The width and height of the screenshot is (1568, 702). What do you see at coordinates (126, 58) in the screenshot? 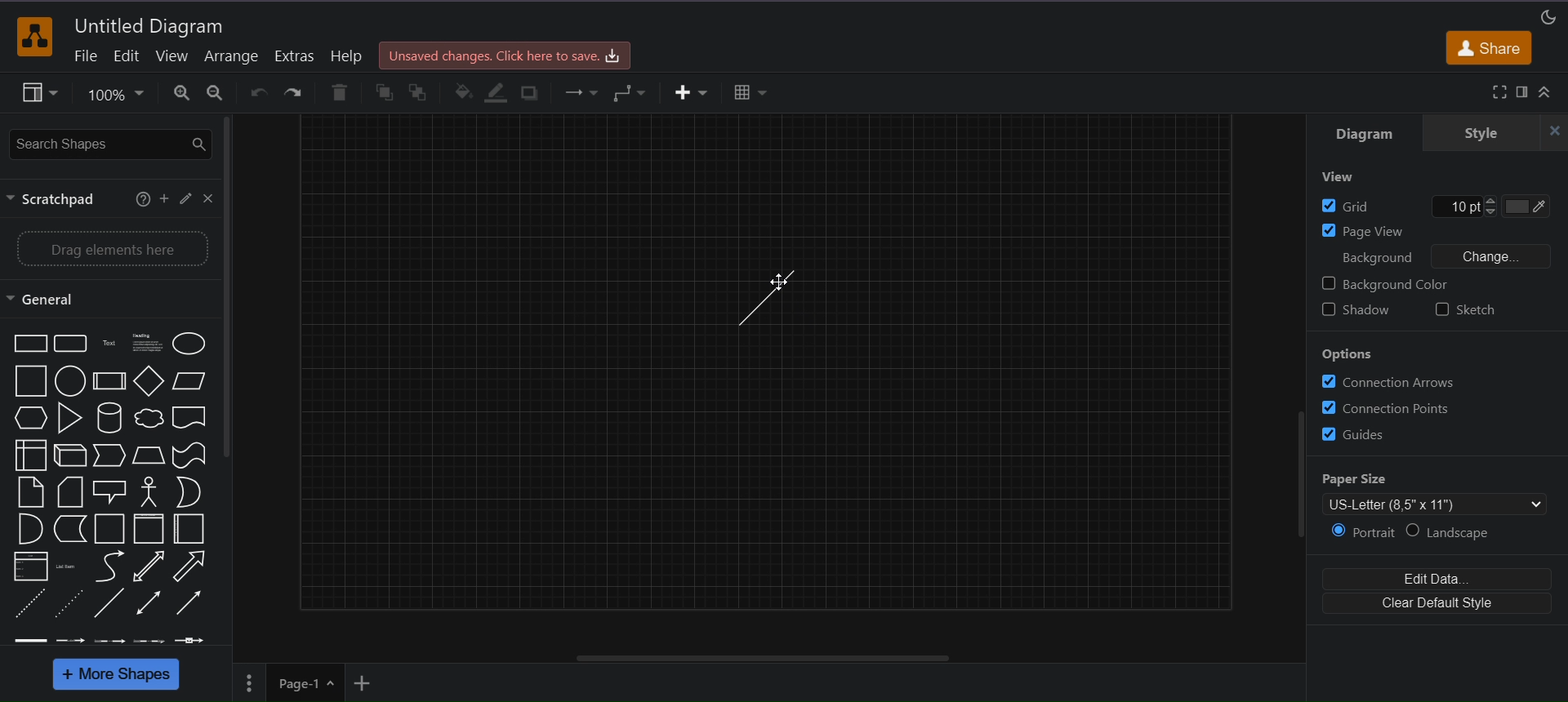
I see `edit` at bounding box center [126, 58].